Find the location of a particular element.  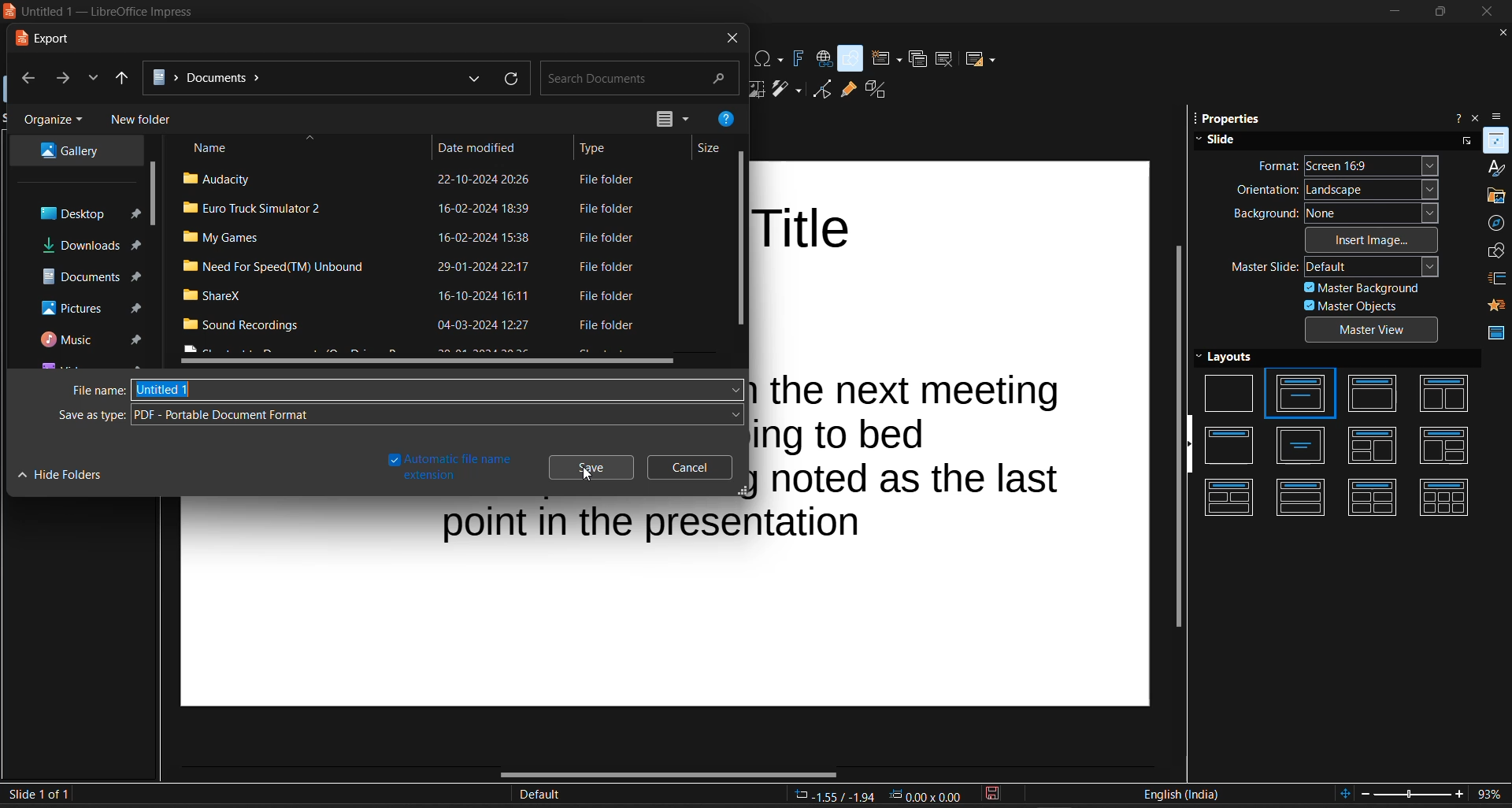

Gallery is located at coordinates (66, 152).